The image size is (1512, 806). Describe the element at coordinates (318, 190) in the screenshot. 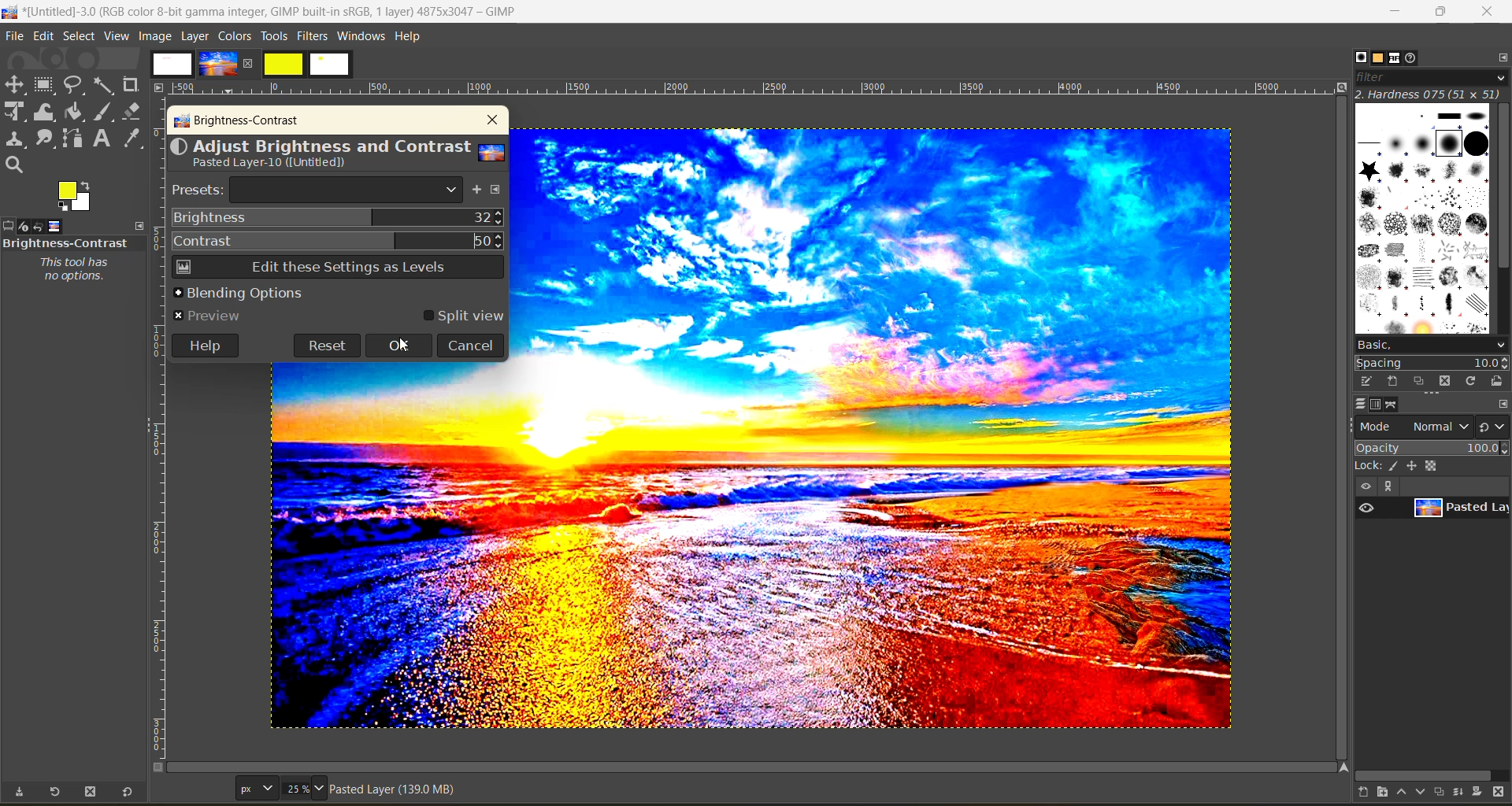

I see `presets` at that location.